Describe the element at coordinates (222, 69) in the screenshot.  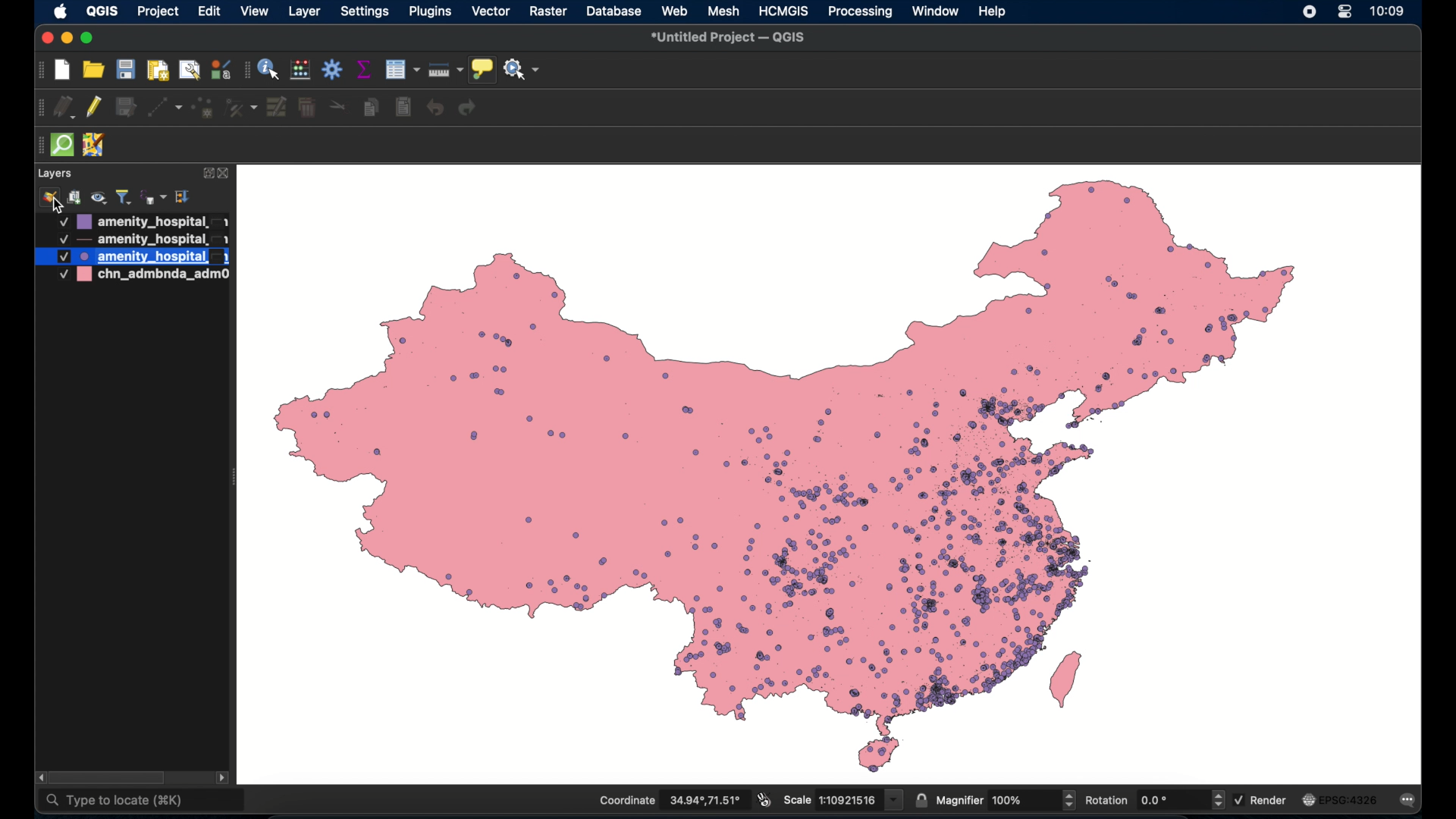
I see `style manager` at that location.